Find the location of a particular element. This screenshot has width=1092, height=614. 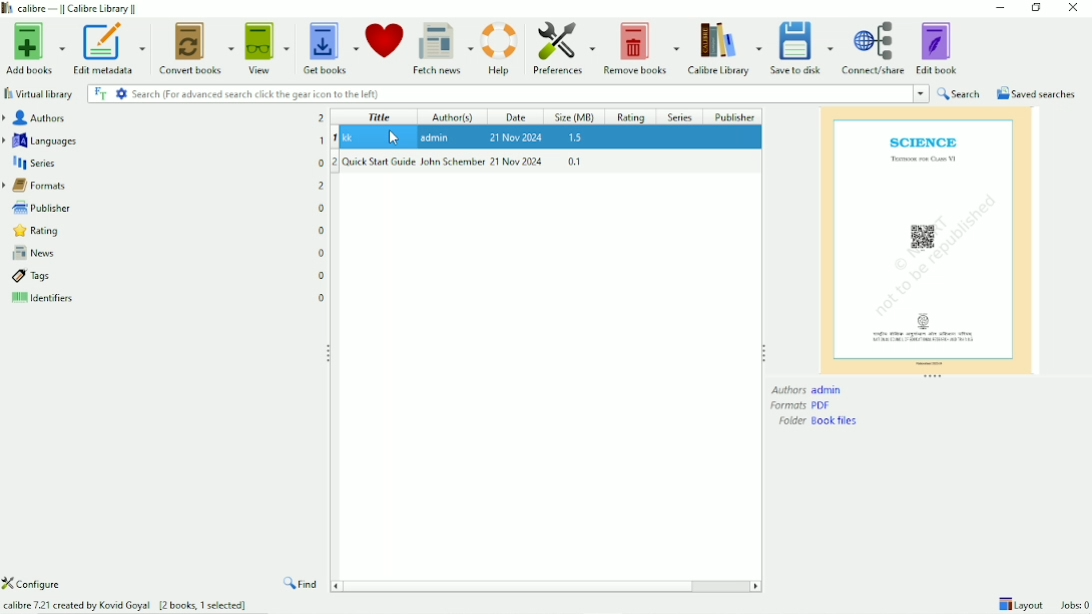

Resize is located at coordinates (329, 351).